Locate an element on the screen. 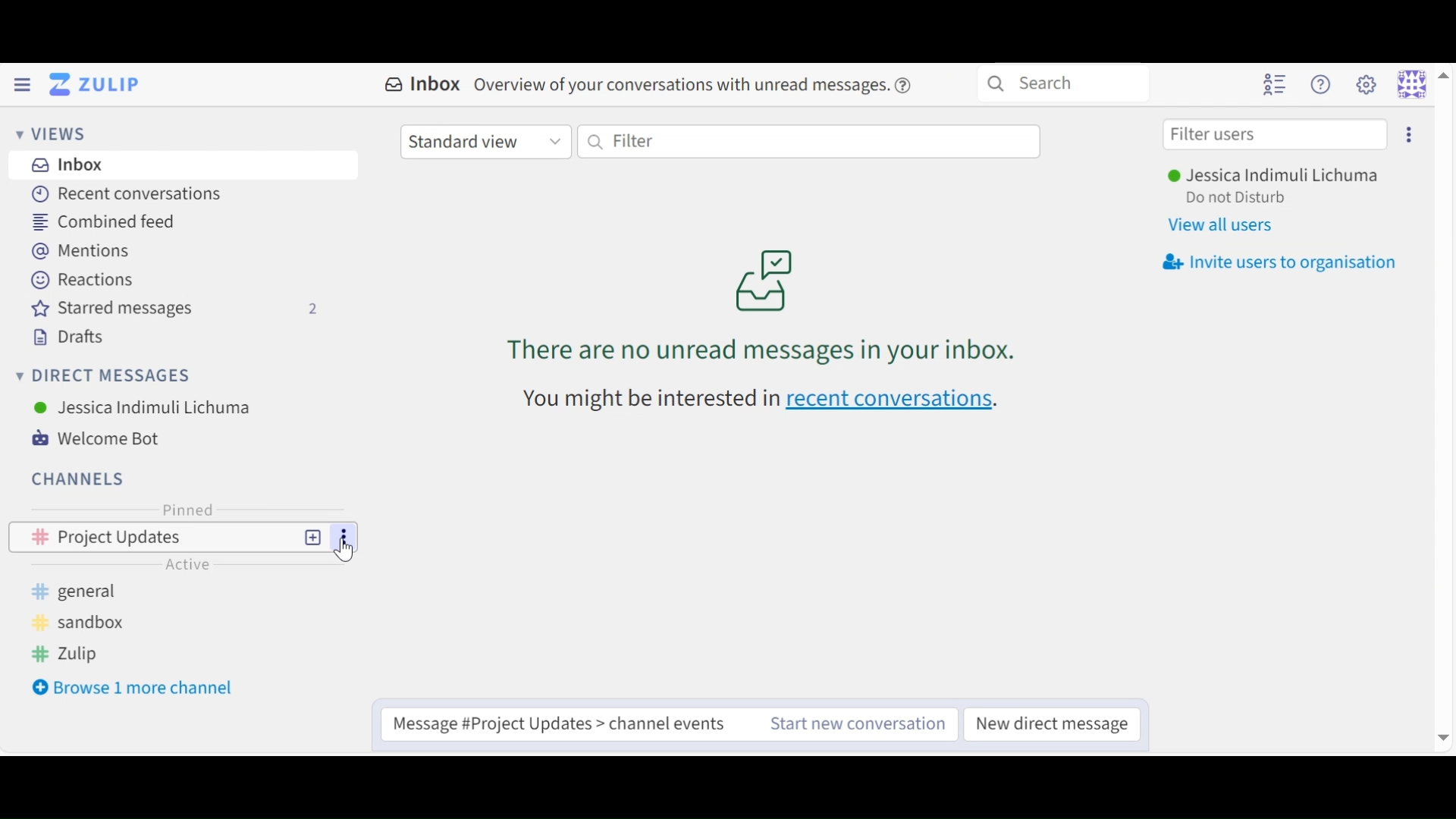 The height and width of the screenshot is (819, 1456). Direct Messages is located at coordinates (102, 375).